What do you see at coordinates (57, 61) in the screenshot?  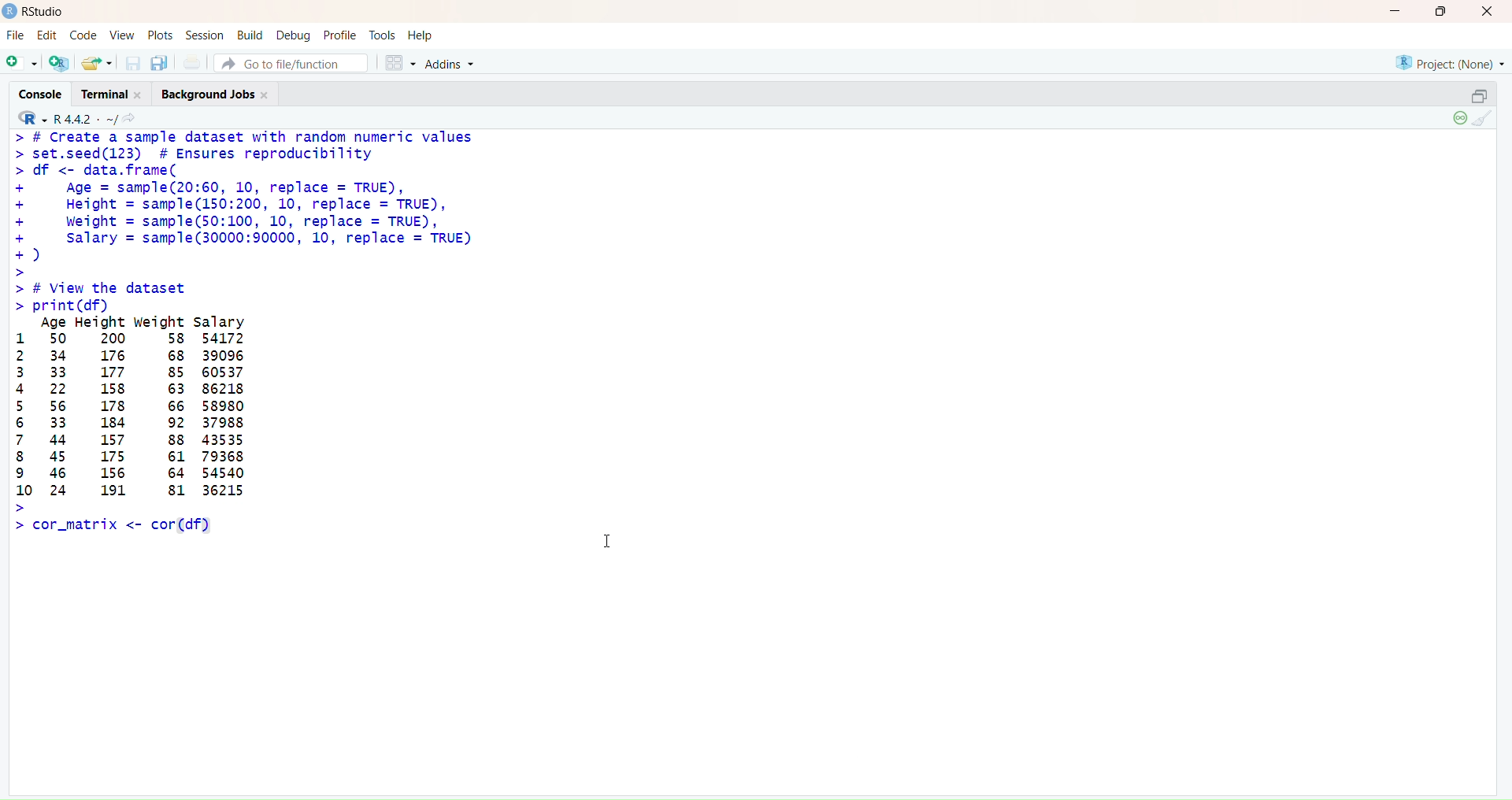 I see `Create a project` at bounding box center [57, 61].